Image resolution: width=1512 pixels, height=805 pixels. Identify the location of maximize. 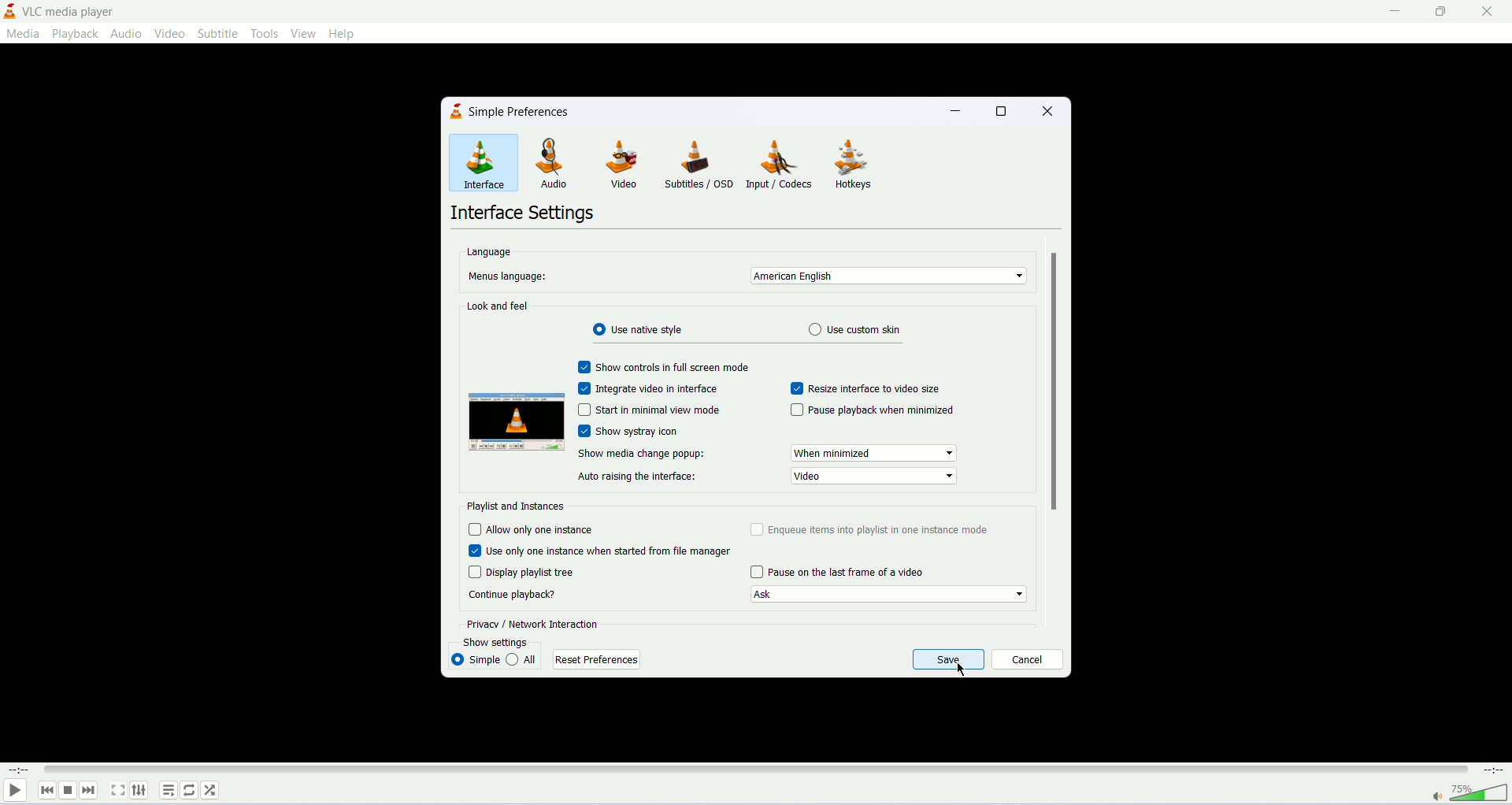
(1002, 110).